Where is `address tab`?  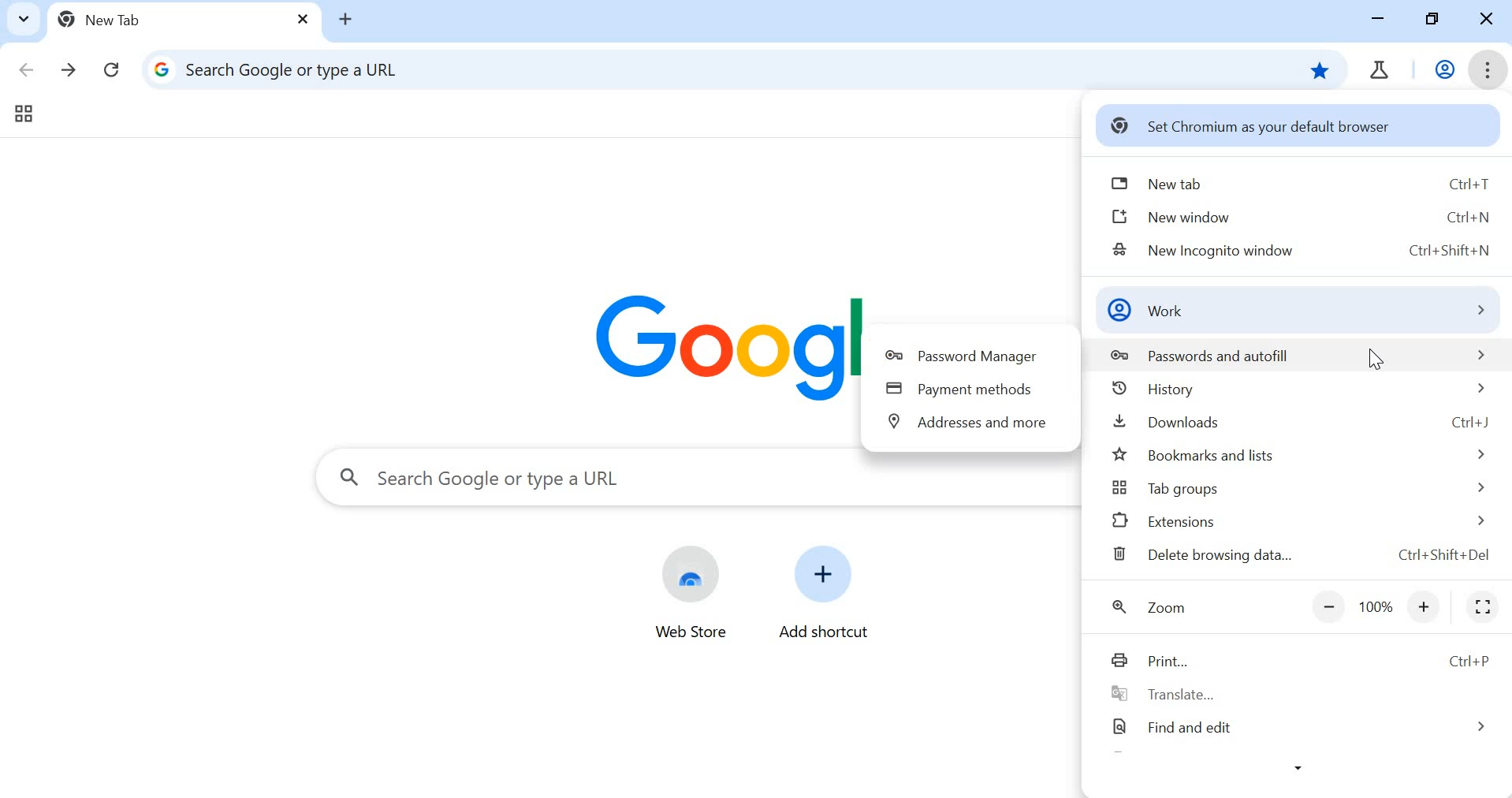
address tab is located at coordinates (697, 69).